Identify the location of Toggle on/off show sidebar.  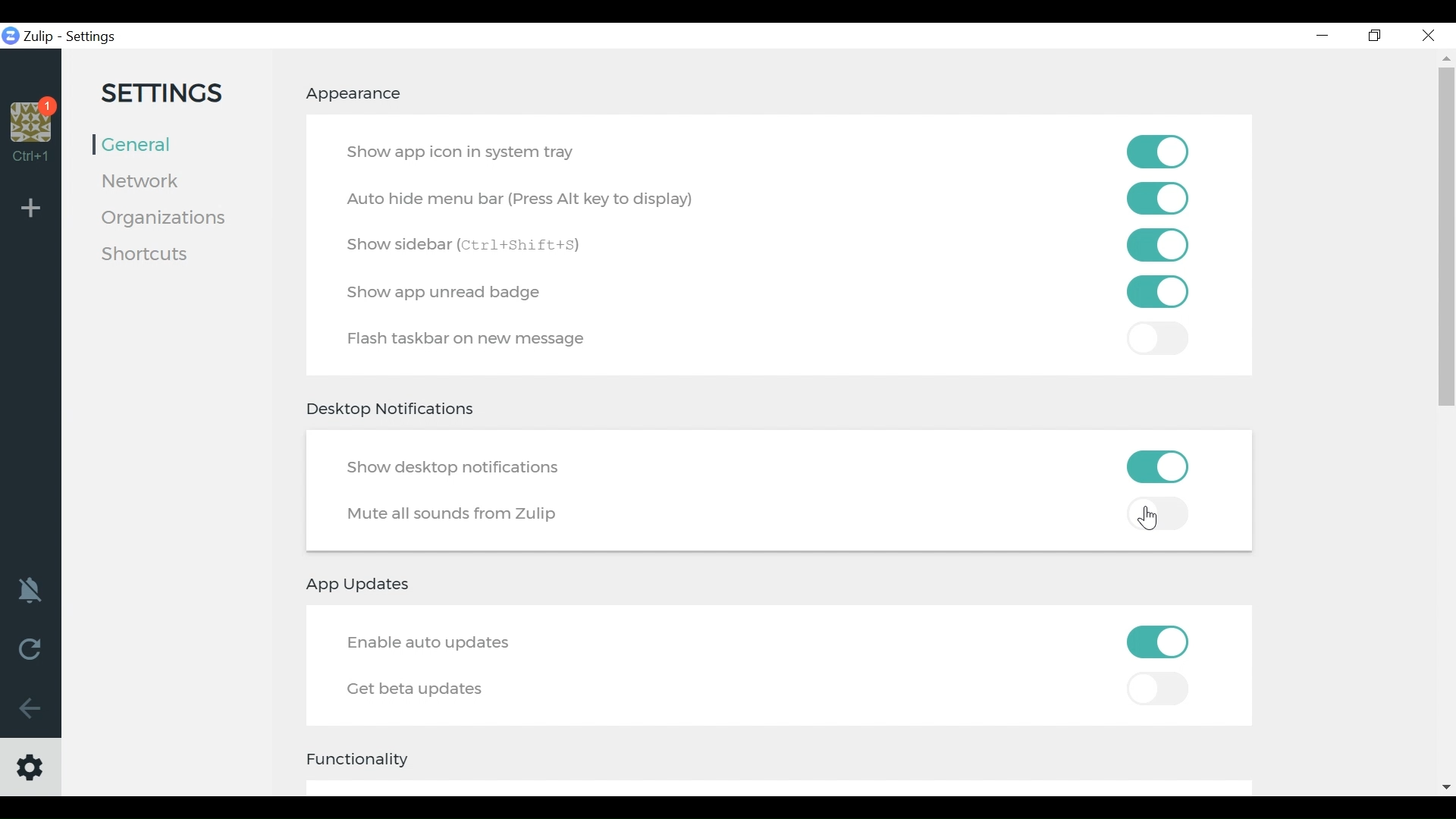
(1157, 245).